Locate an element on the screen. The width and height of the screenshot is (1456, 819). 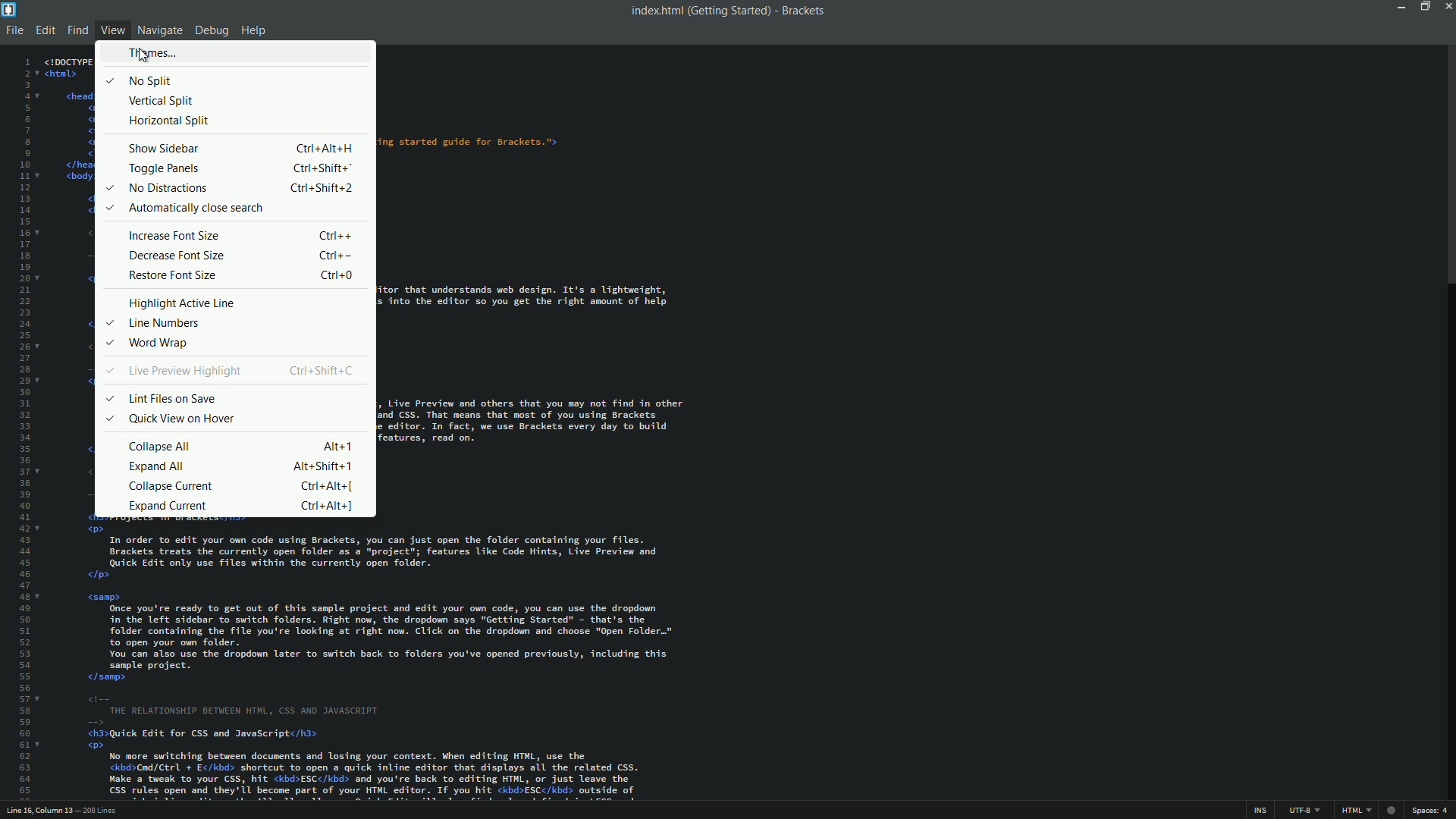
spaces is located at coordinates (1432, 811).